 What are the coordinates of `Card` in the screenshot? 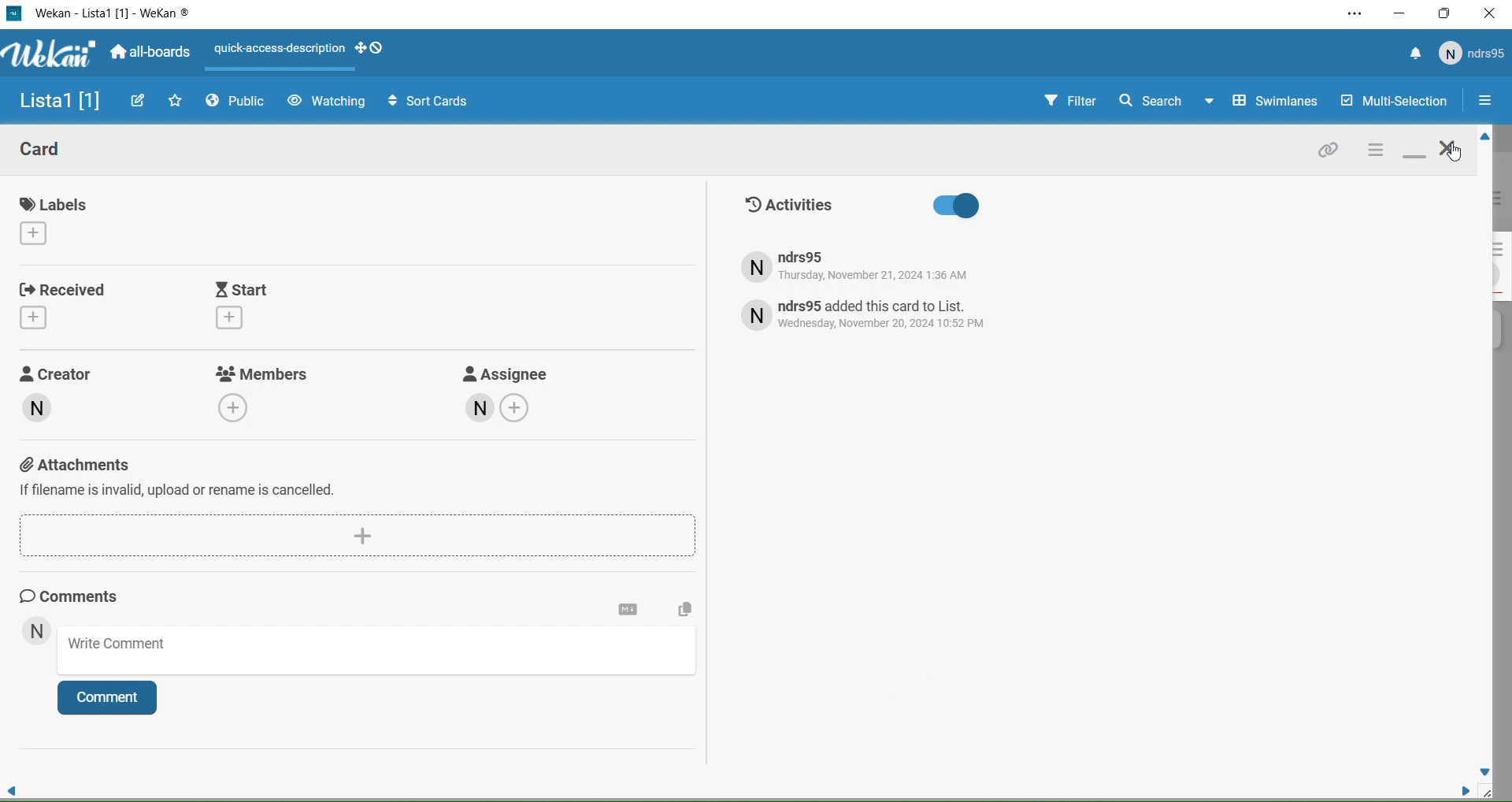 It's located at (54, 152).